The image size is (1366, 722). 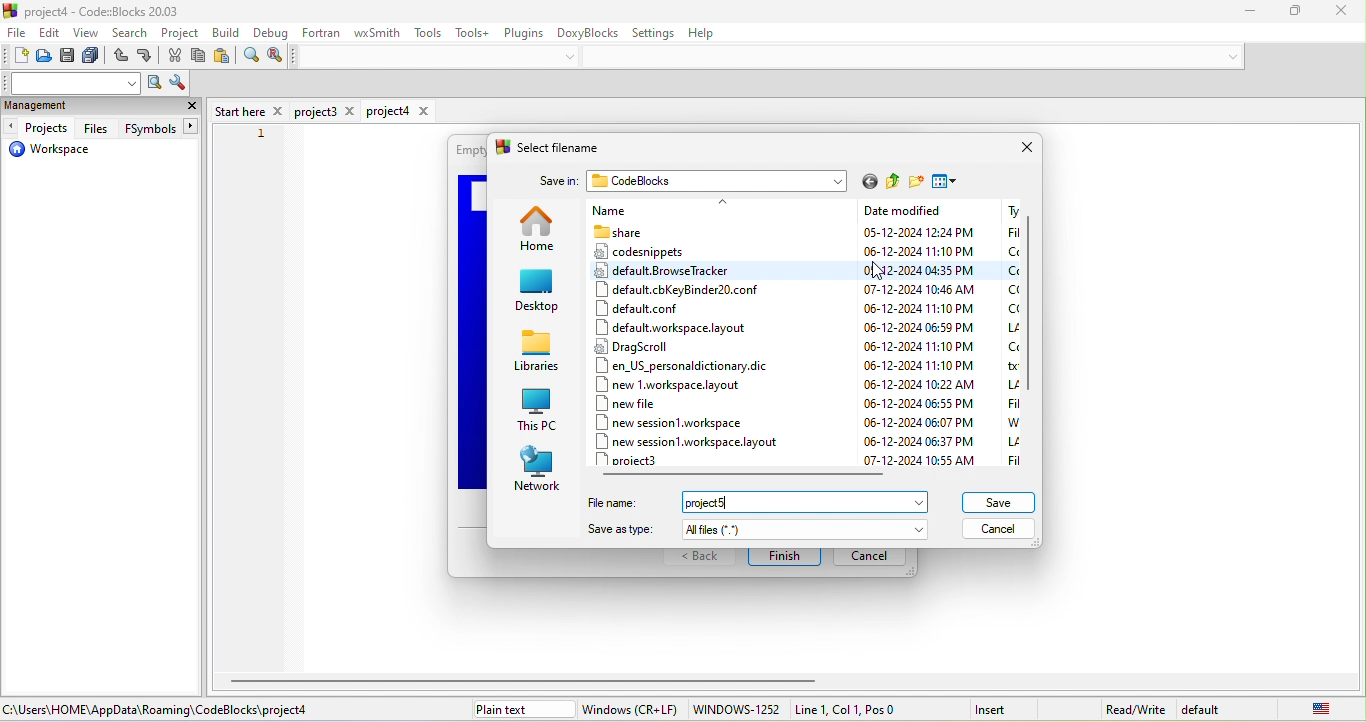 What do you see at coordinates (1032, 310) in the screenshot?
I see `vertical scroll  bar` at bounding box center [1032, 310].